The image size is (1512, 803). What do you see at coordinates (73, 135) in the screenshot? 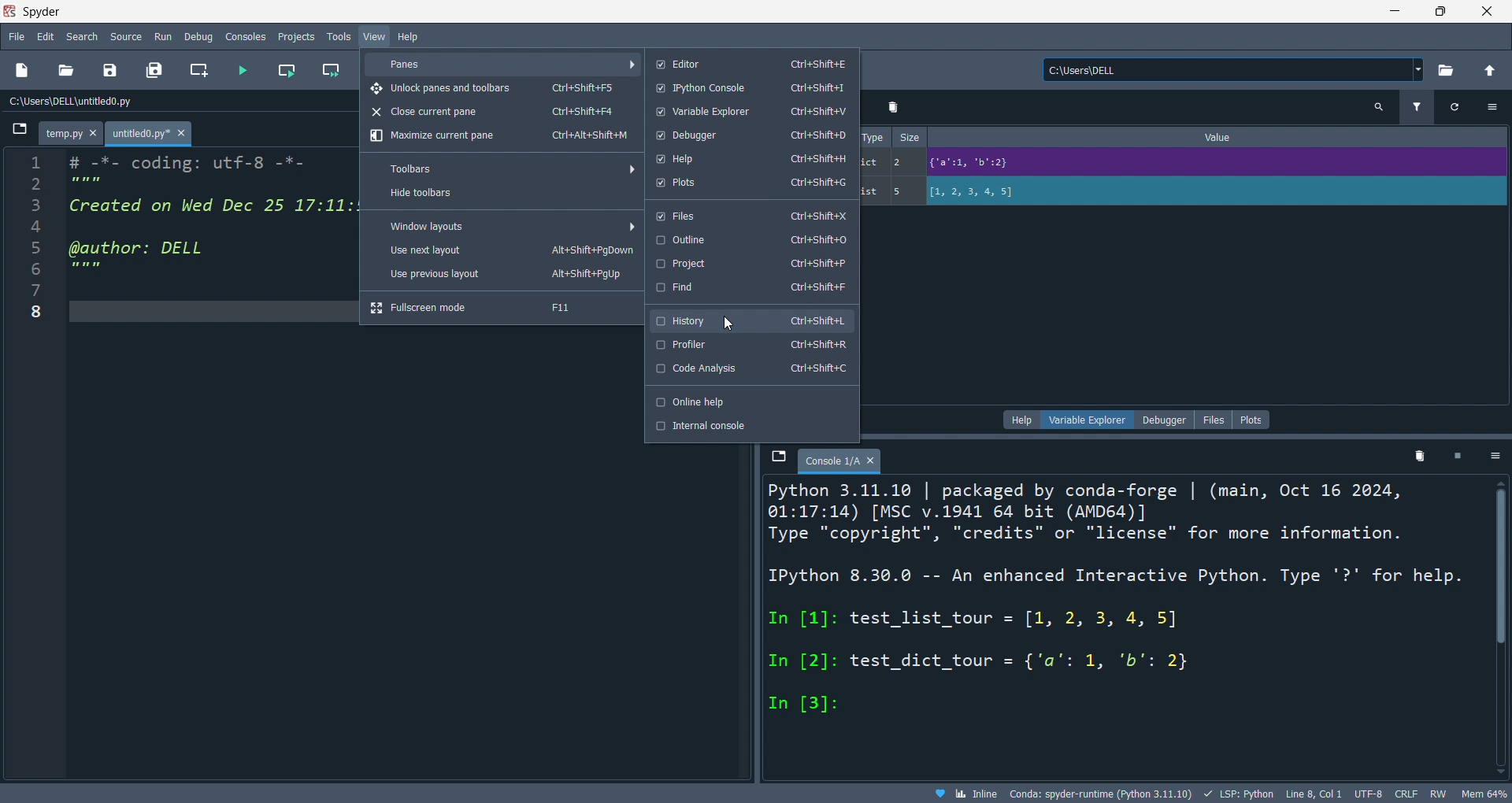
I see `temp.py` at bounding box center [73, 135].